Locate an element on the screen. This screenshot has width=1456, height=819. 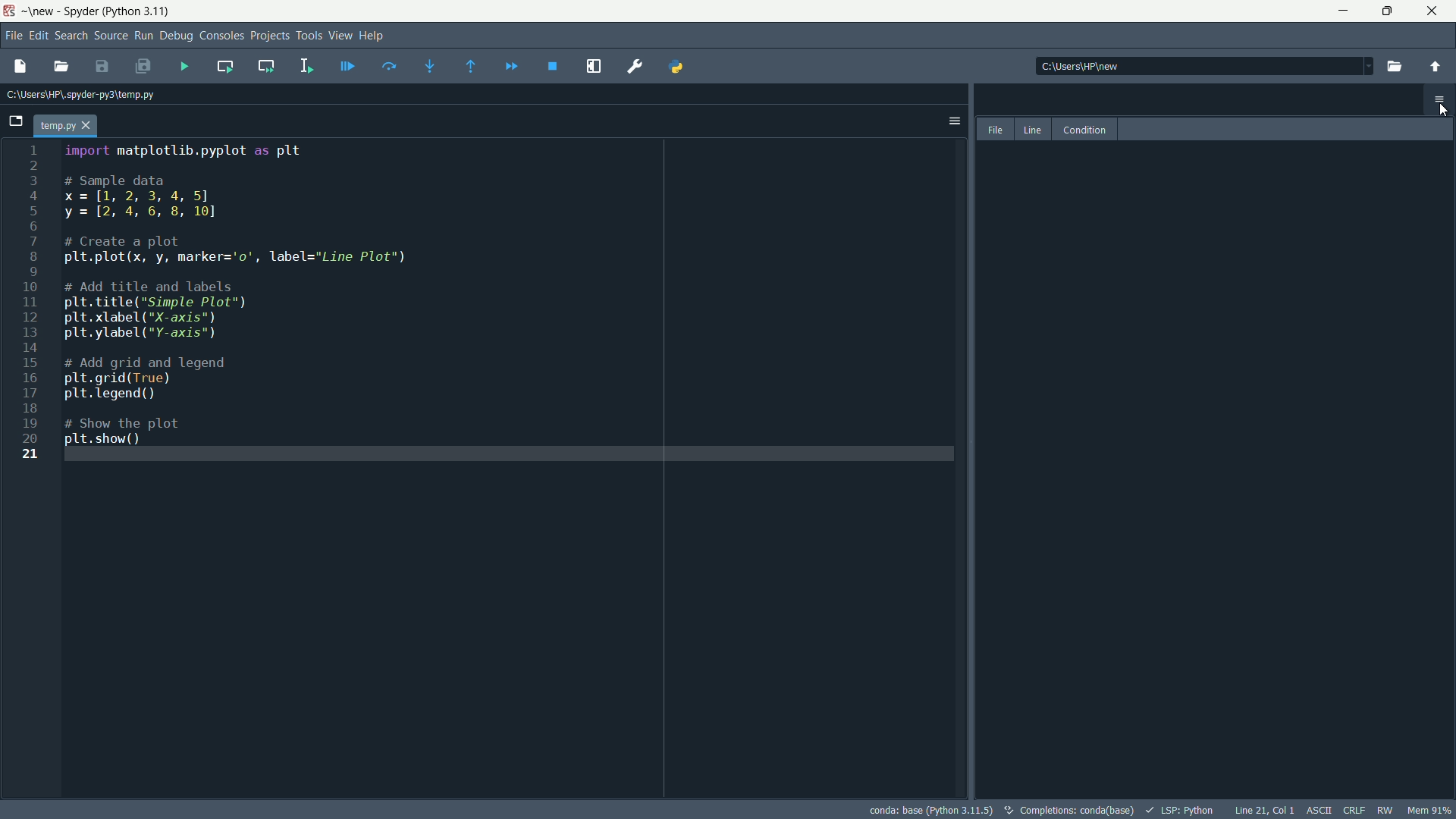
python path manager is located at coordinates (681, 67).